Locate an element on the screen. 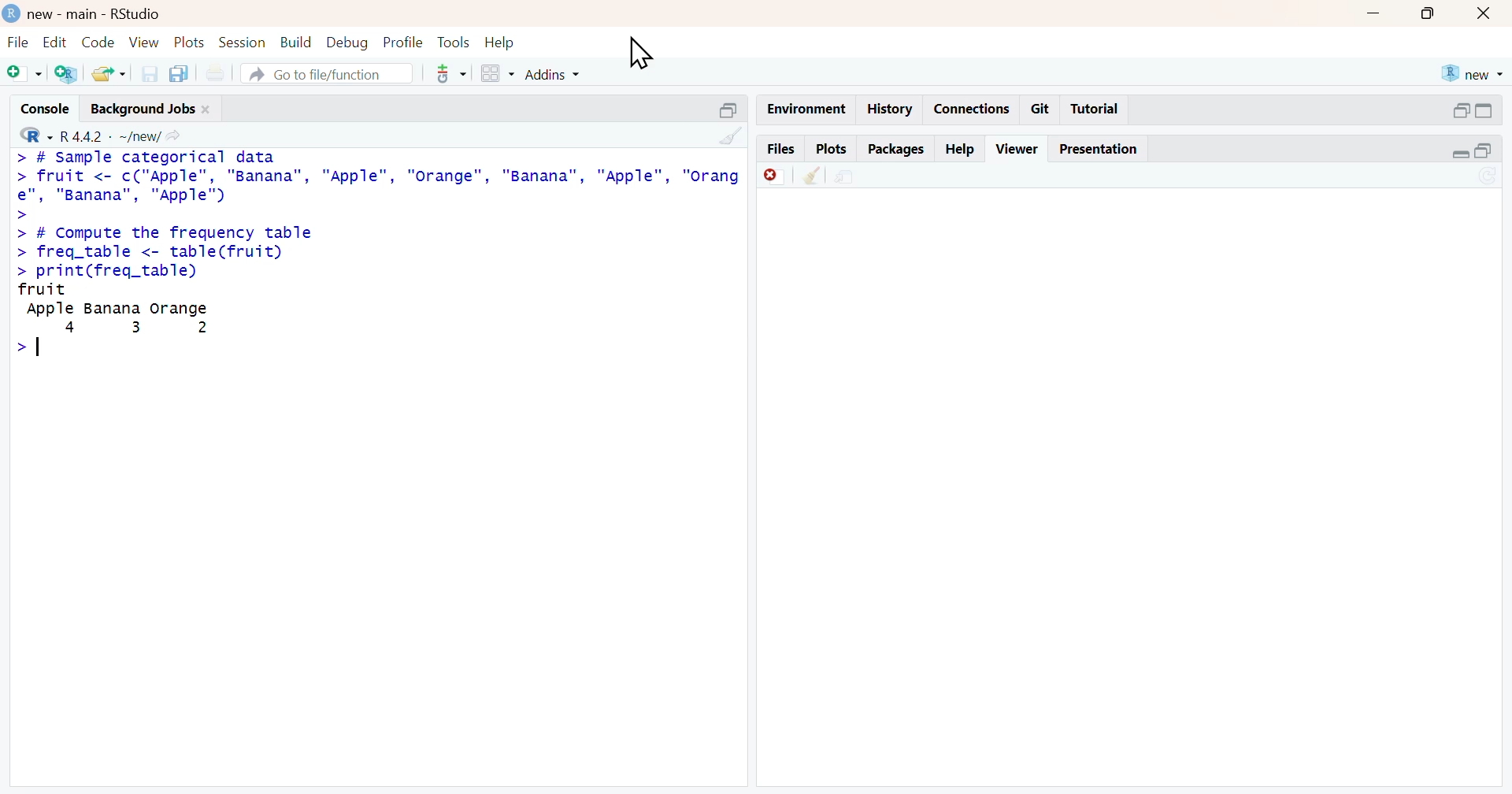 Image resolution: width=1512 pixels, height=794 pixels. help is located at coordinates (962, 149).